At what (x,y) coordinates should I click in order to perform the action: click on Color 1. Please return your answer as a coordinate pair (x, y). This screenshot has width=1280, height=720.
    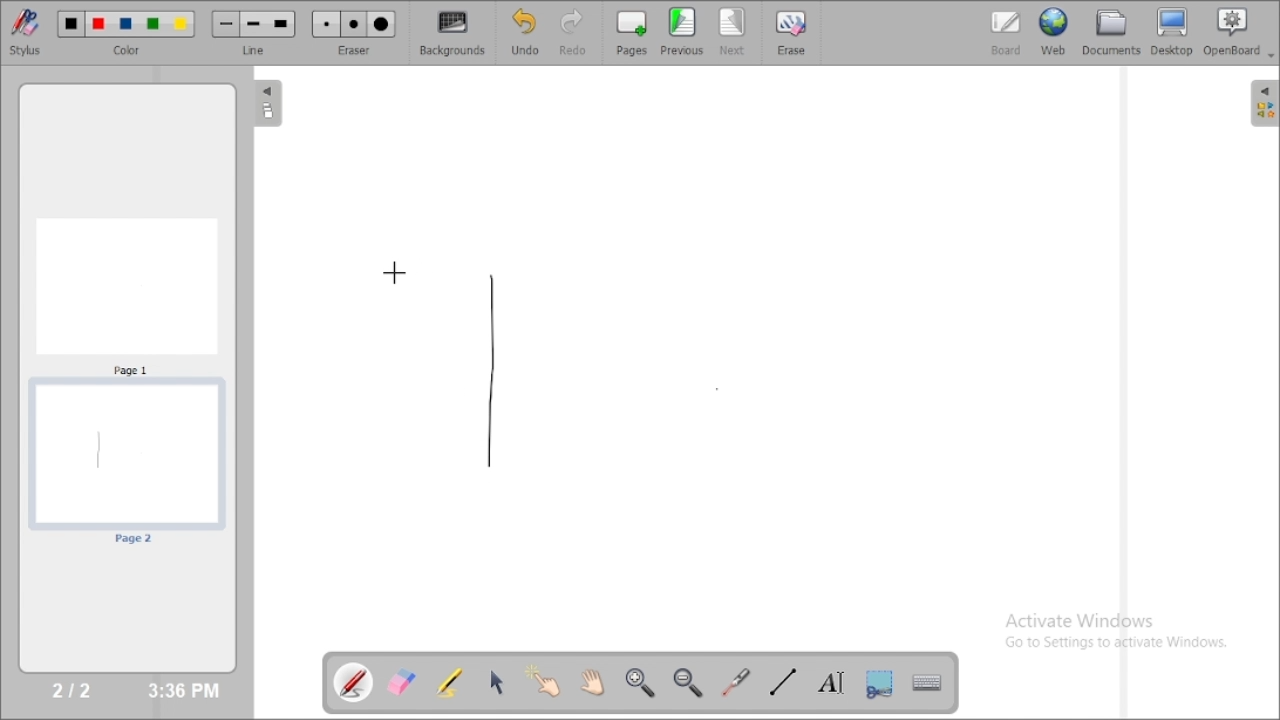
    Looking at the image, I should click on (72, 25).